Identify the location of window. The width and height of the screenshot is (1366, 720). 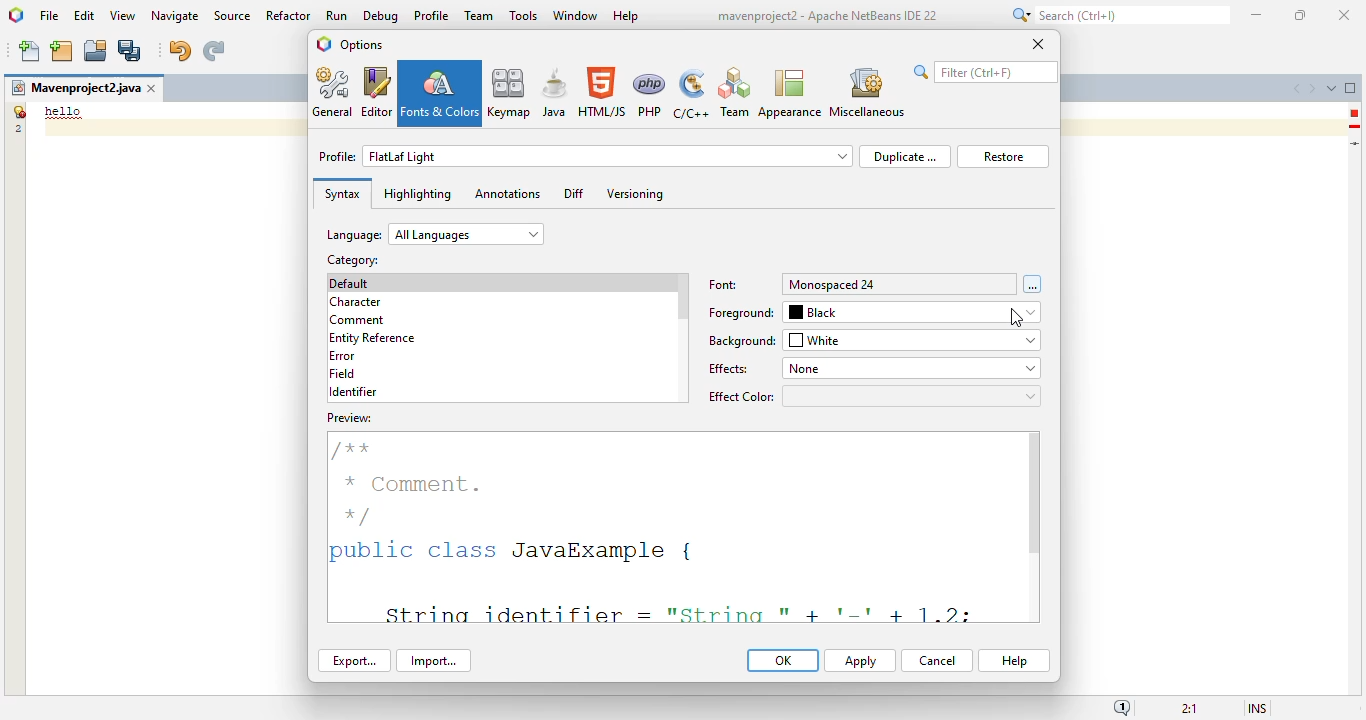
(576, 15).